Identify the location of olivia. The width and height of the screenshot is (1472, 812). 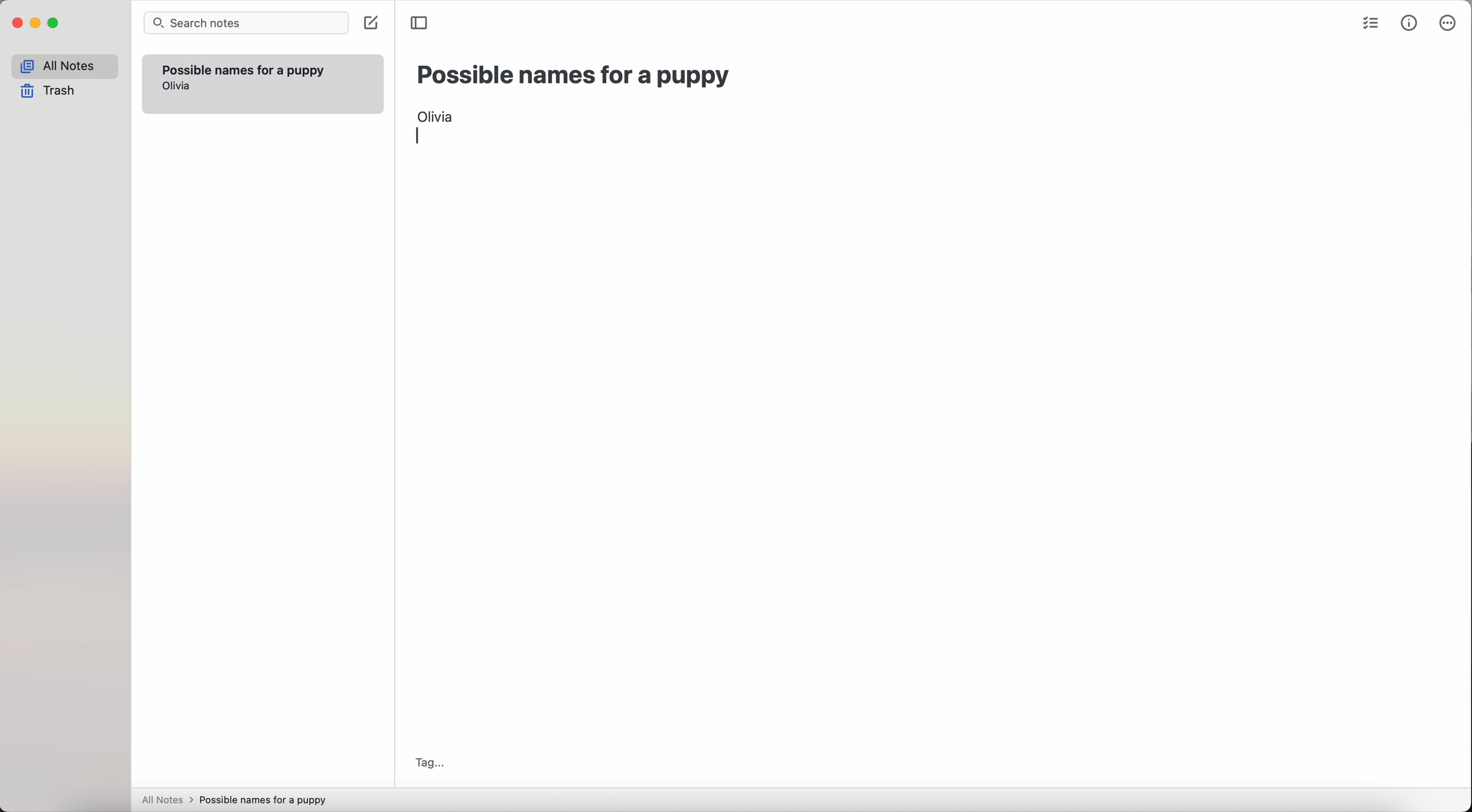
(177, 86).